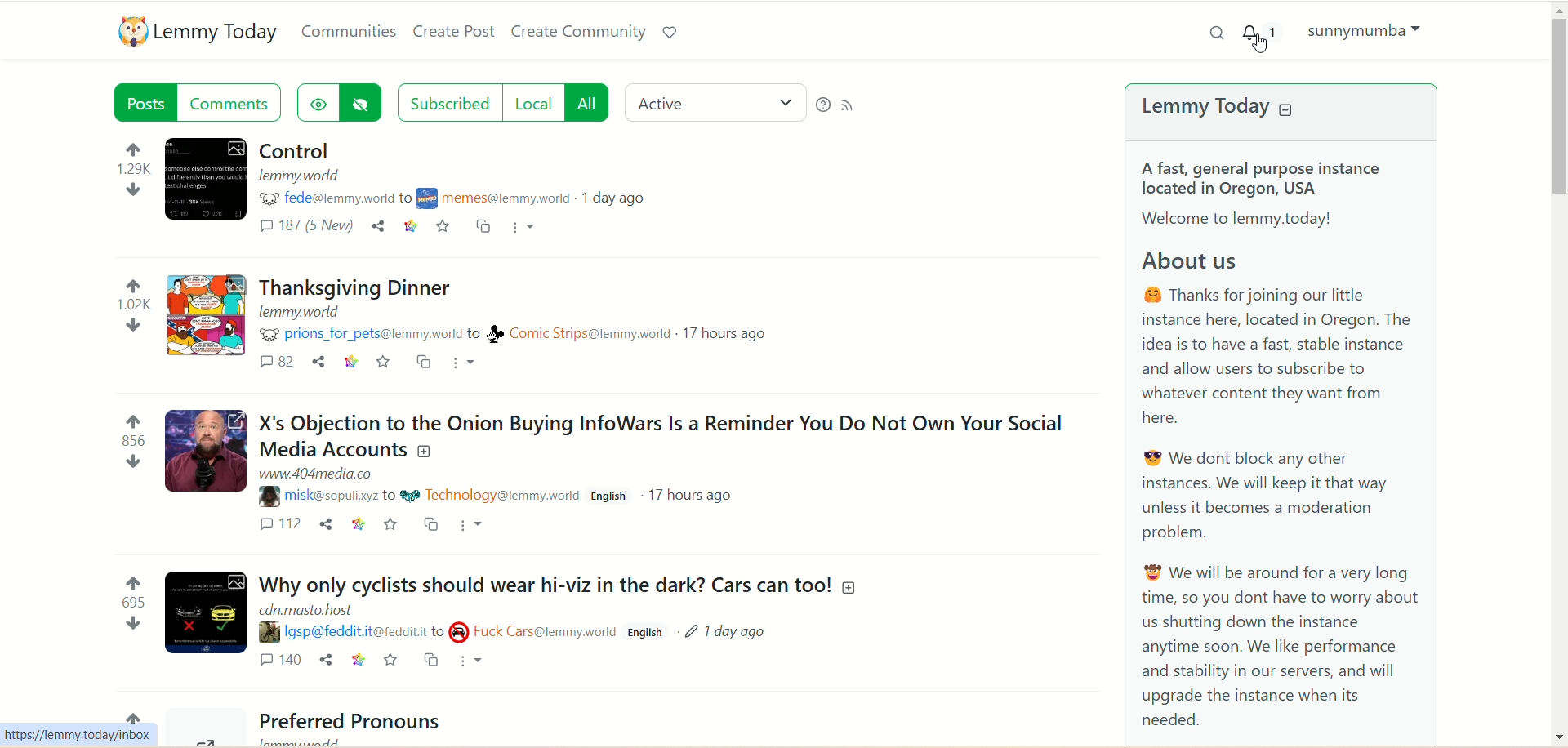 This screenshot has width=1568, height=748. Describe the element at coordinates (278, 524) in the screenshot. I see `comment 112` at that location.